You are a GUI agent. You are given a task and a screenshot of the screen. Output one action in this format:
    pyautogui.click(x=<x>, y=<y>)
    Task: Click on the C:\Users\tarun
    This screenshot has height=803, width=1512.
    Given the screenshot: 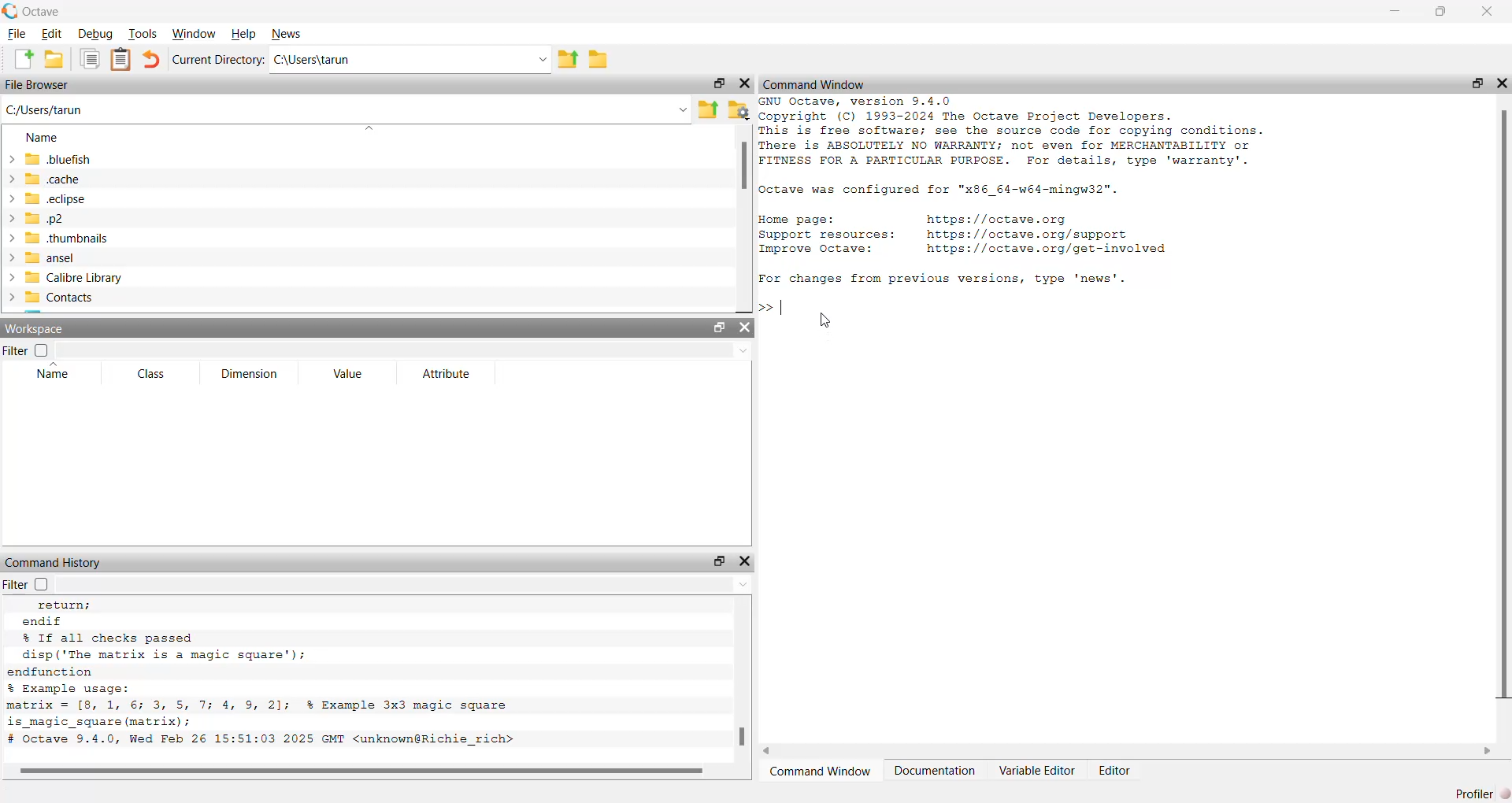 What is the action you would take?
    pyautogui.click(x=45, y=109)
    